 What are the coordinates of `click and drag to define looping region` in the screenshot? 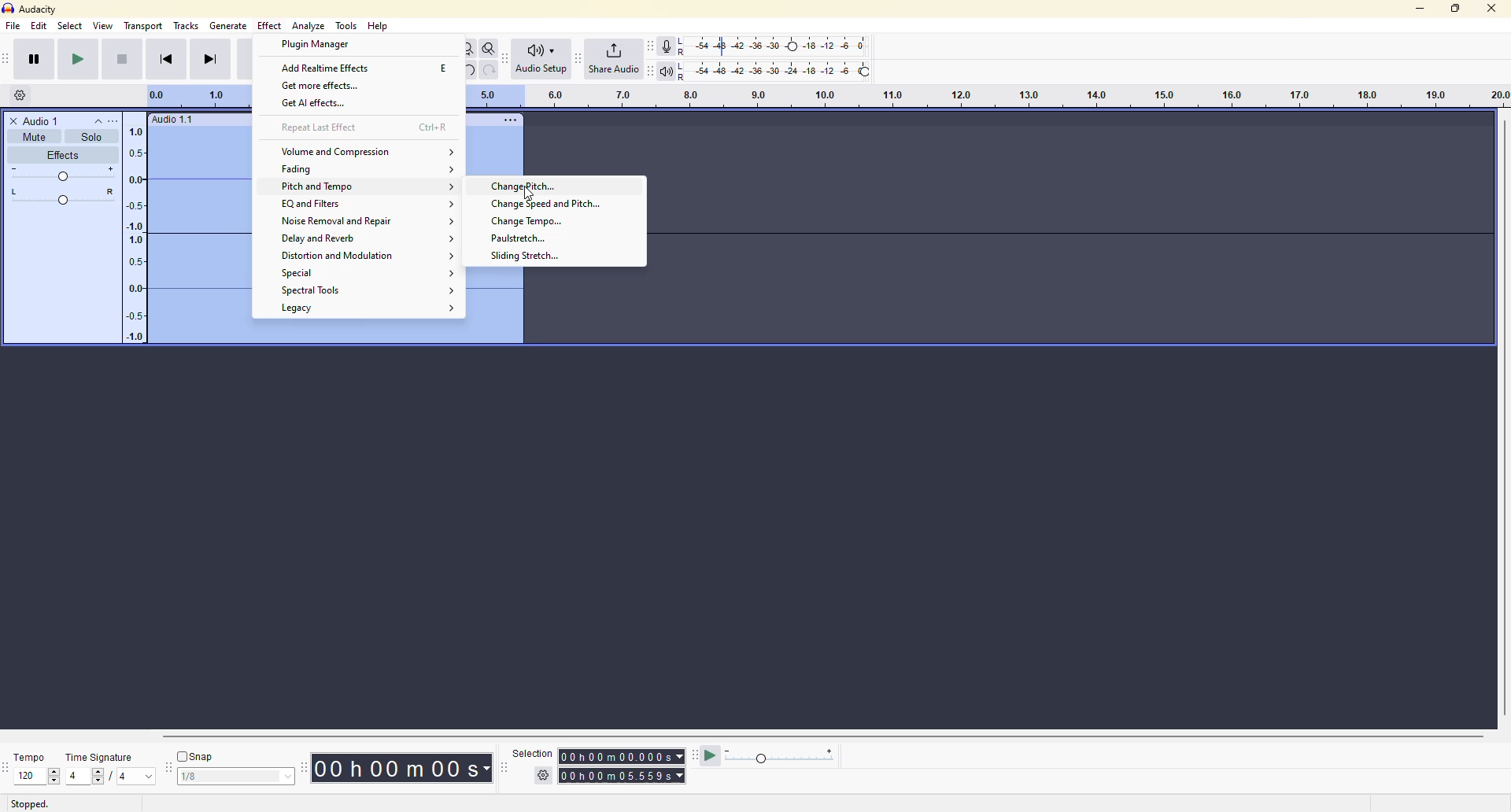 It's located at (988, 97).